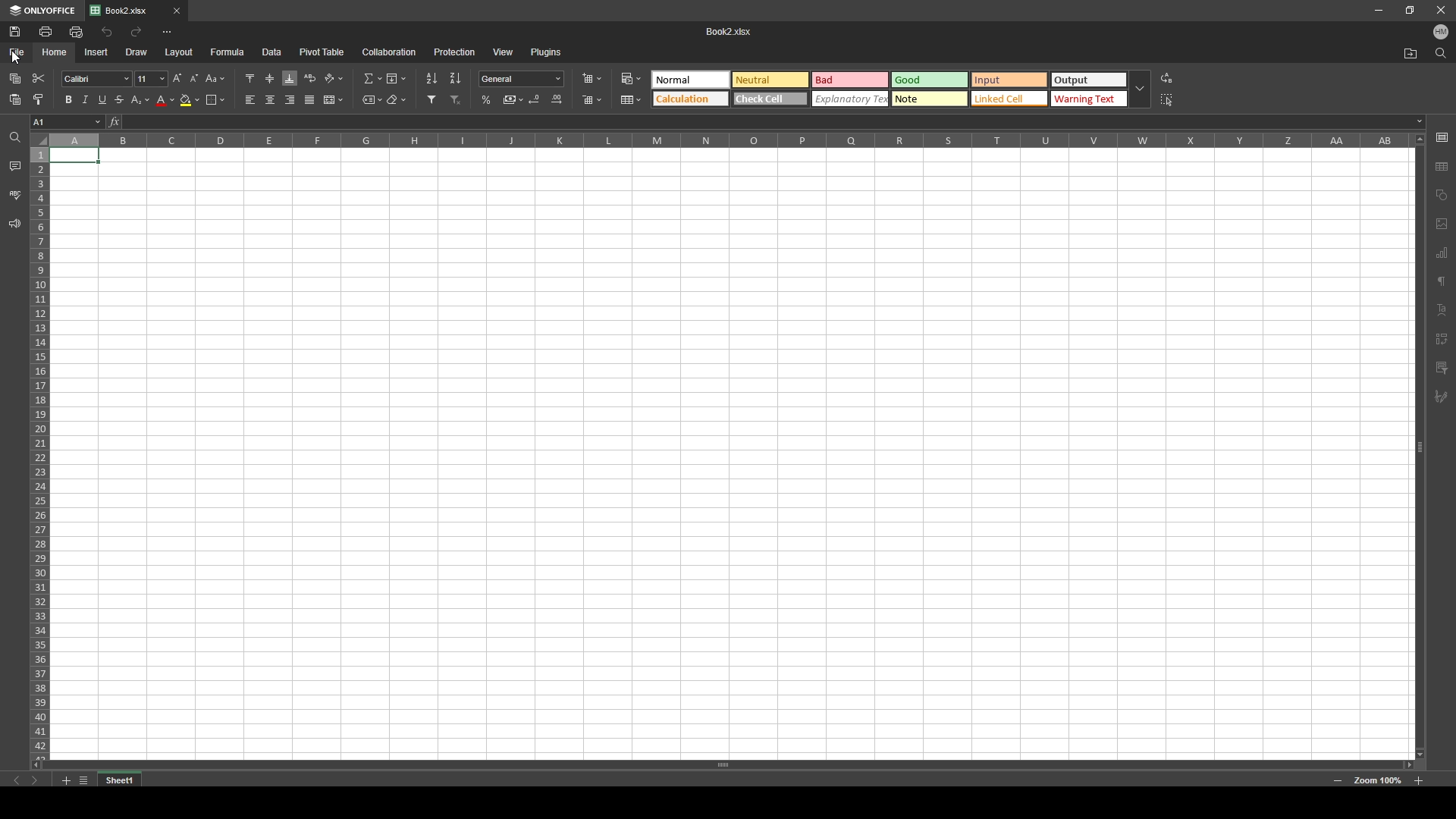 This screenshot has height=819, width=1456. What do you see at coordinates (1442, 138) in the screenshot?
I see `cell settings` at bounding box center [1442, 138].